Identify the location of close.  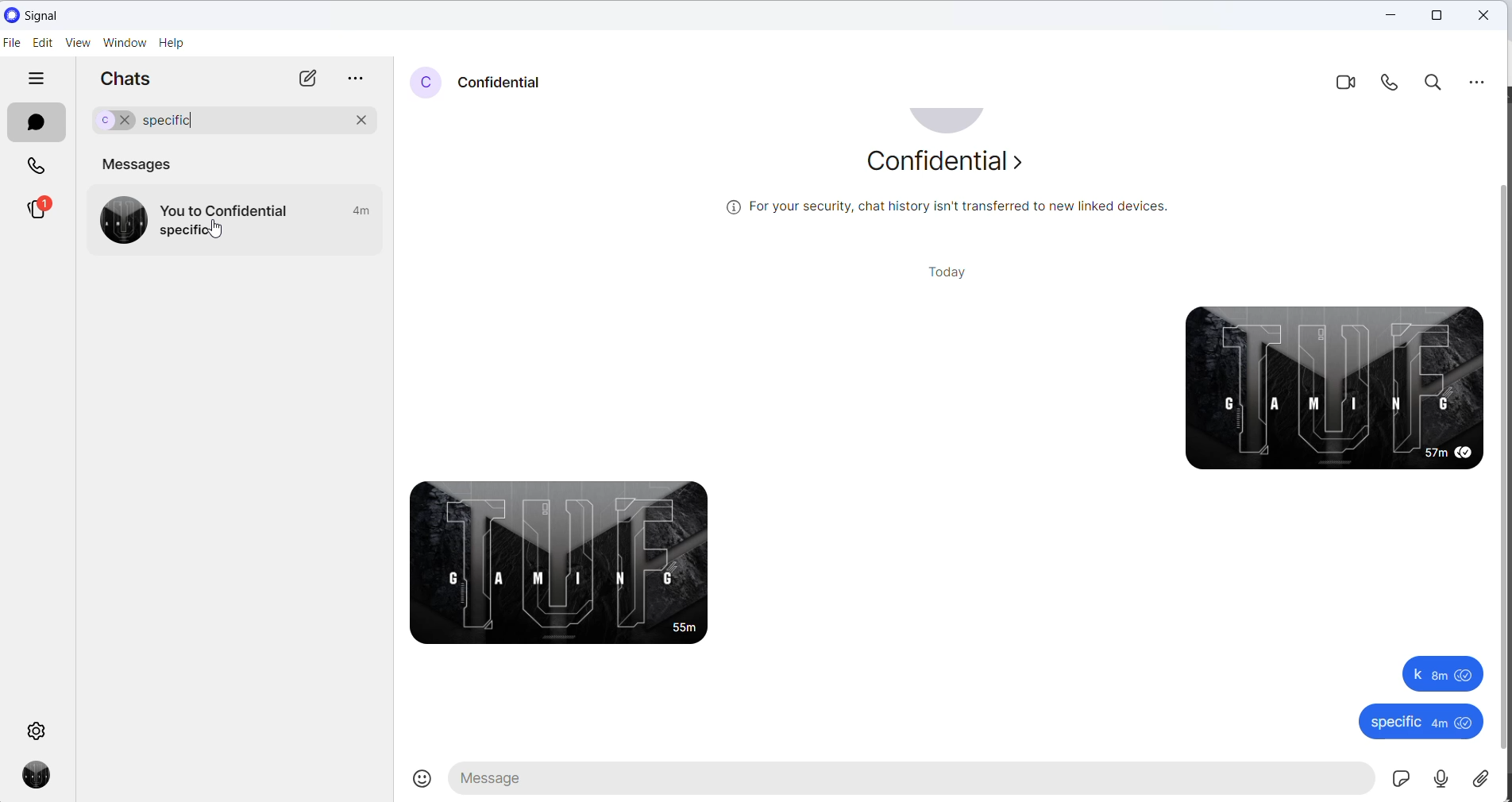
(1393, 15).